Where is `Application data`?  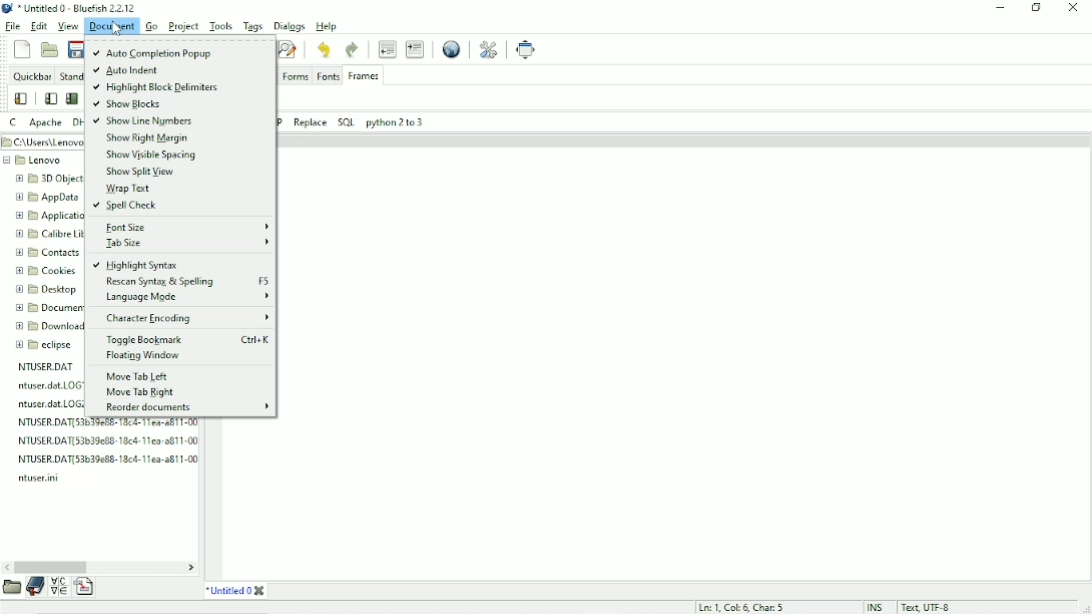
Application data is located at coordinates (49, 217).